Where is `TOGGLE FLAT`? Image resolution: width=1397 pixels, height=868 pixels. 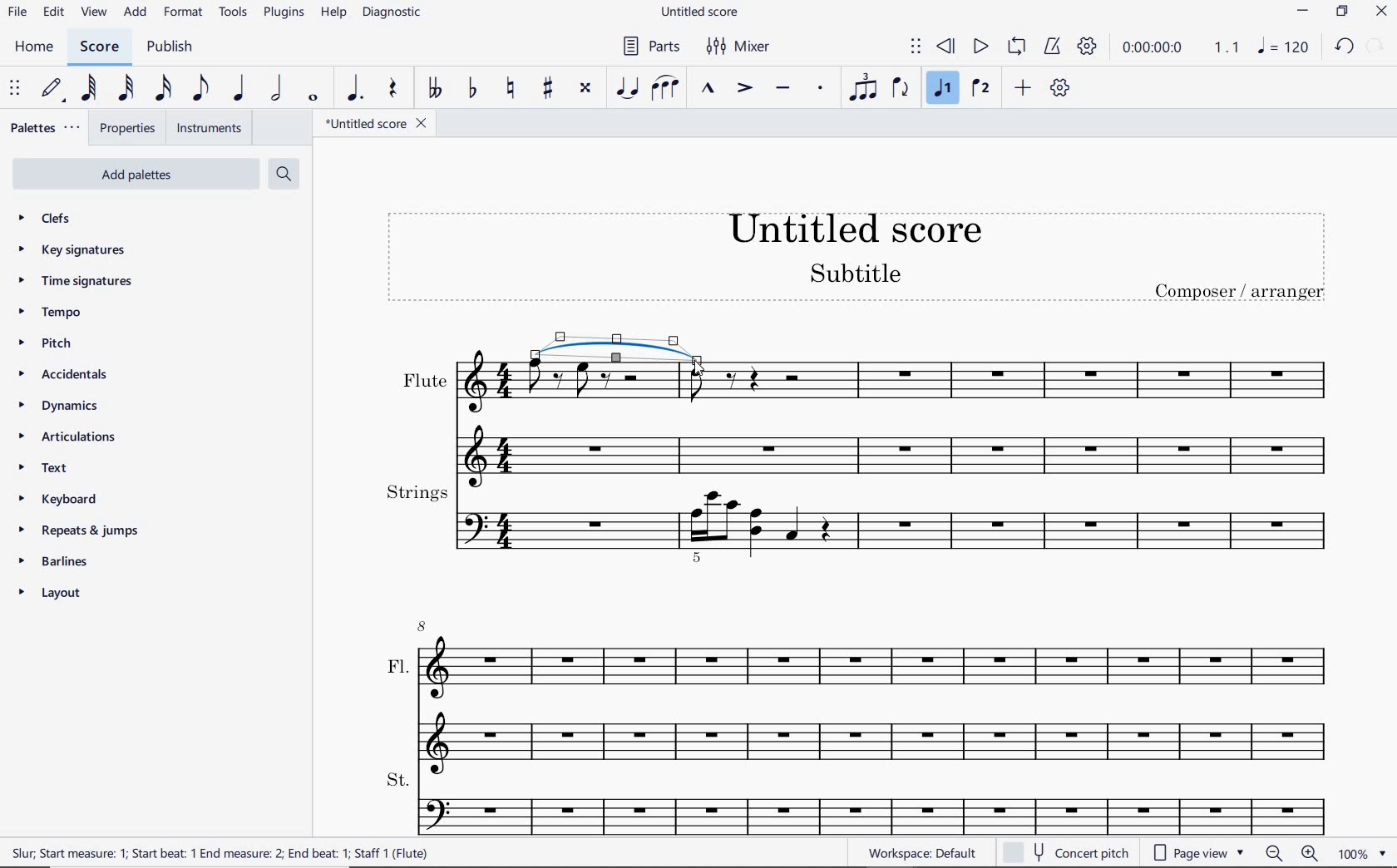
TOGGLE FLAT is located at coordinates (471, 91).